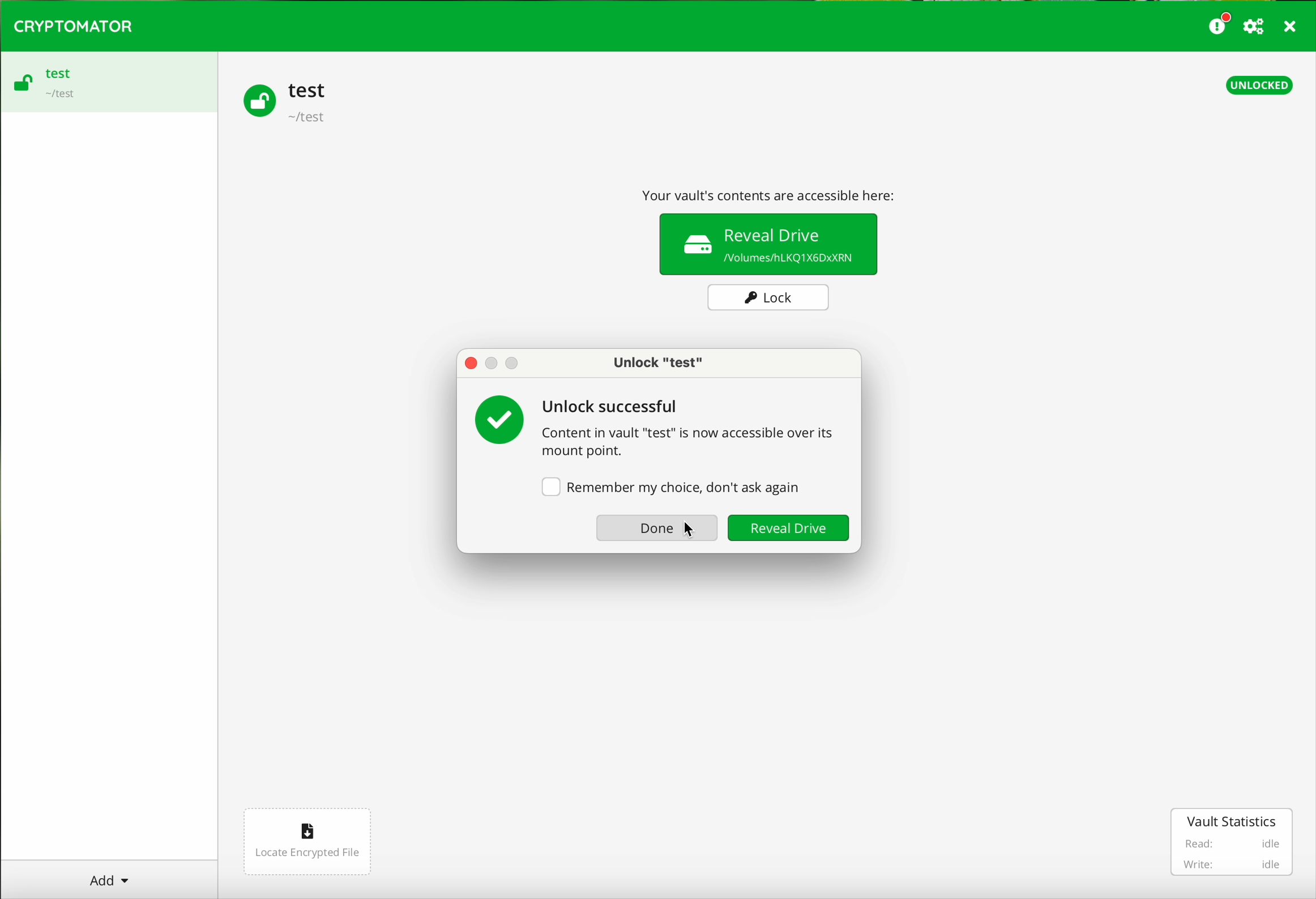 This screenshot has width=1316, height=899. What do you see at coordinates (774, 192) in the screenshot?
I see `Your vault's contents are accessible here:` at bounding box center [774, 192].